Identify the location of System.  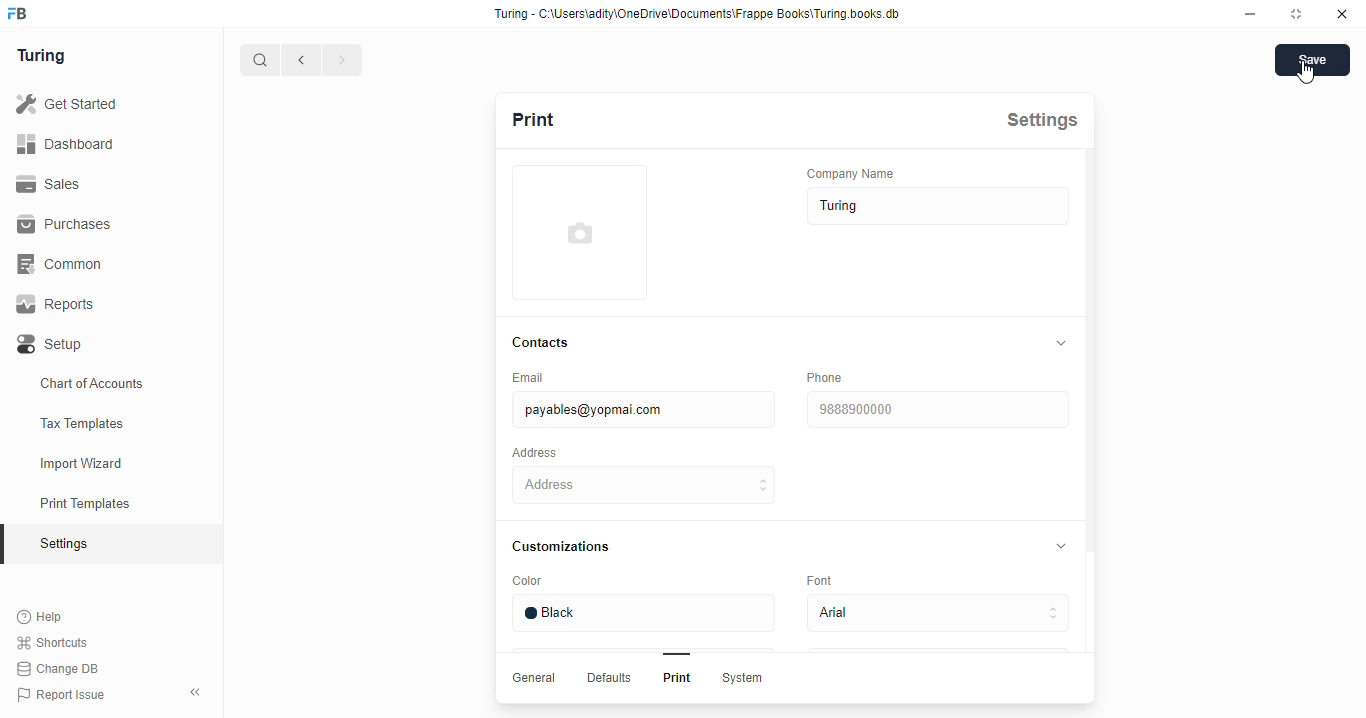
(745, 680).